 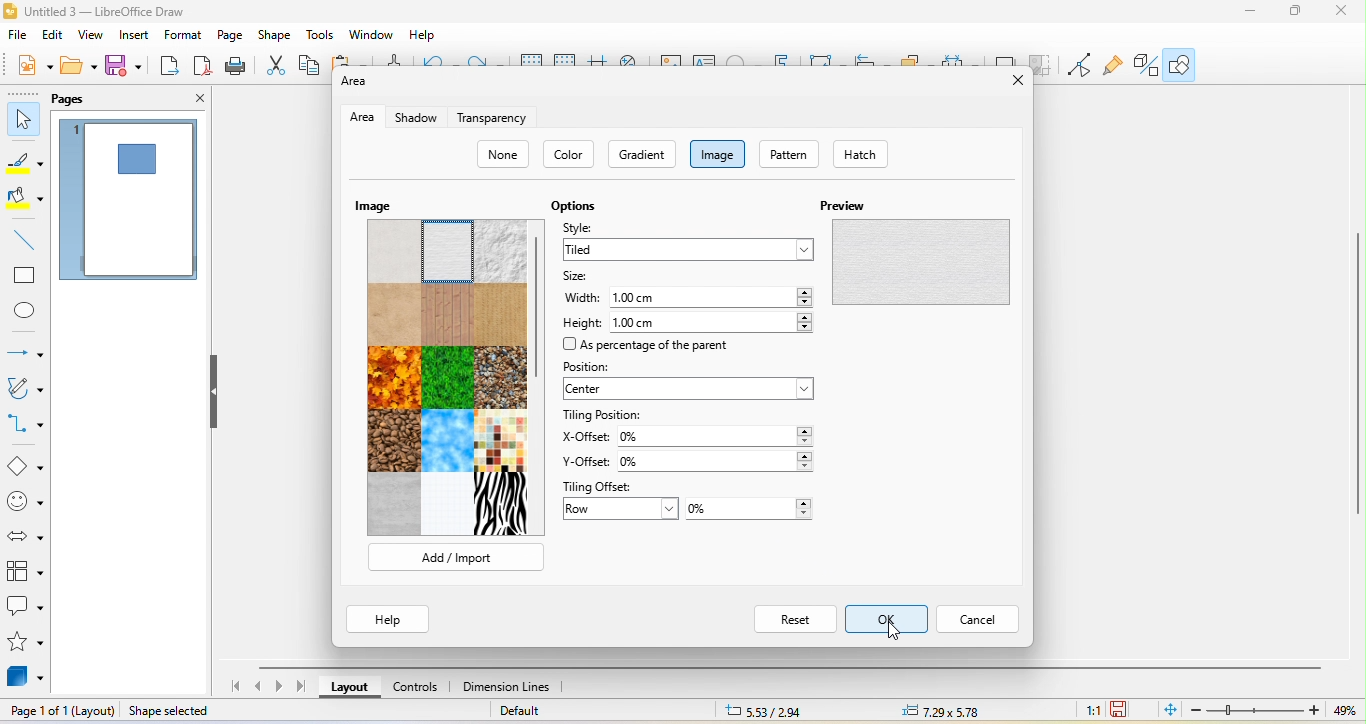 I want to click on special character, so click(x=743, y=59).